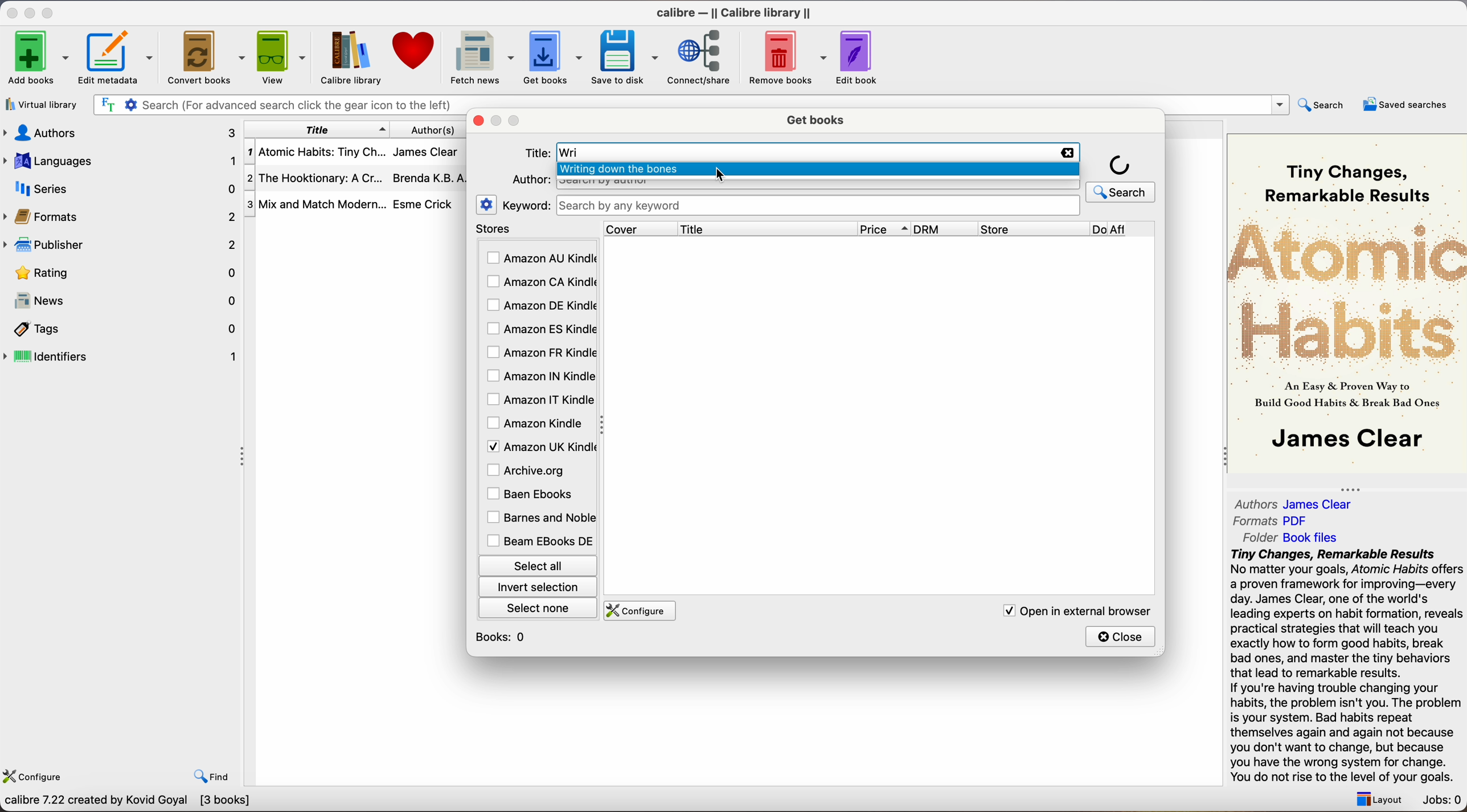  What do you see at coordinates (946, 229) in the screenshot?
I see `DRM` at bounding box center [946, 229].